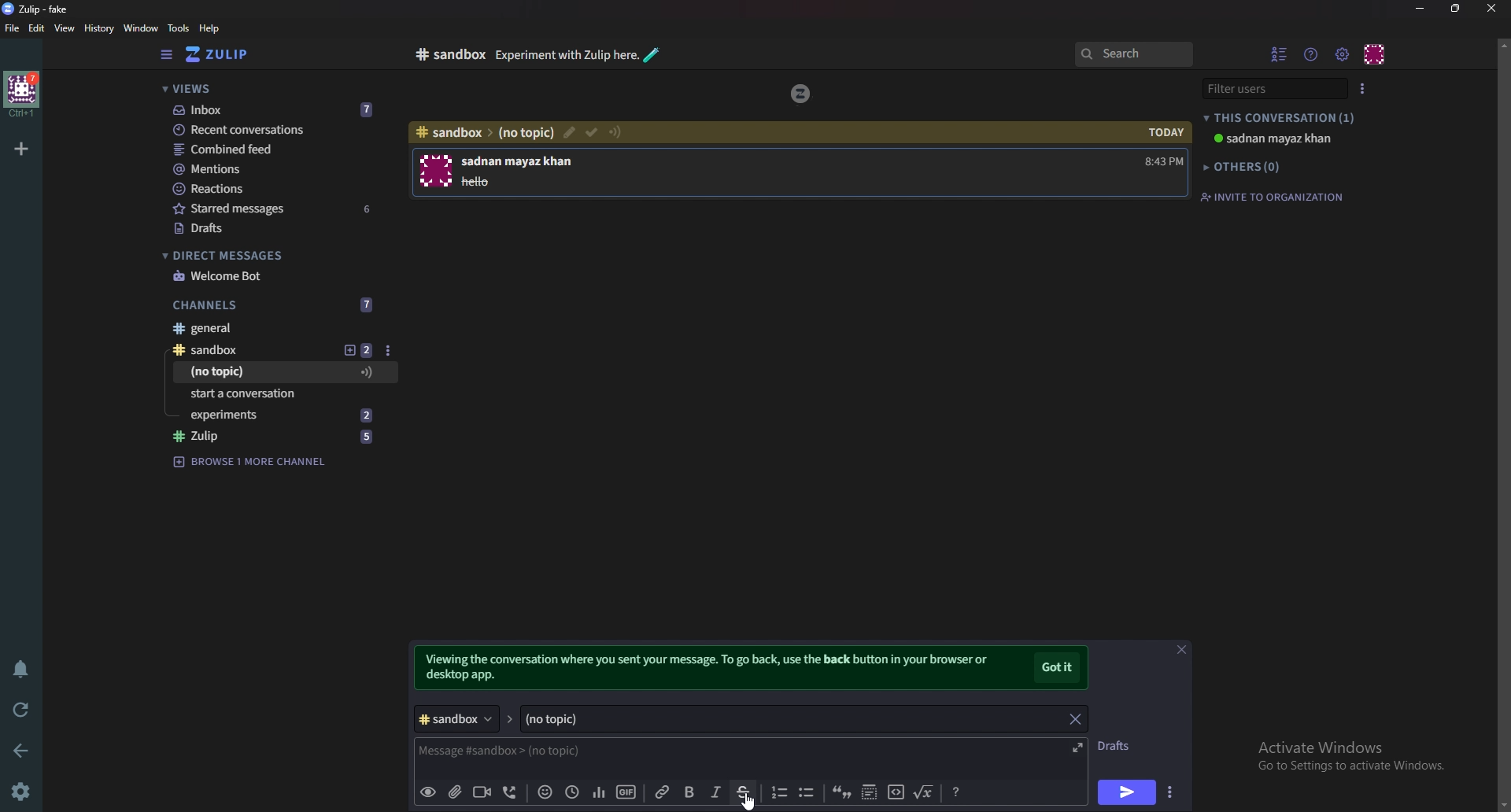 This screenshot has width=1511, height=812. I want to click on Send options, so click(1172, 790).